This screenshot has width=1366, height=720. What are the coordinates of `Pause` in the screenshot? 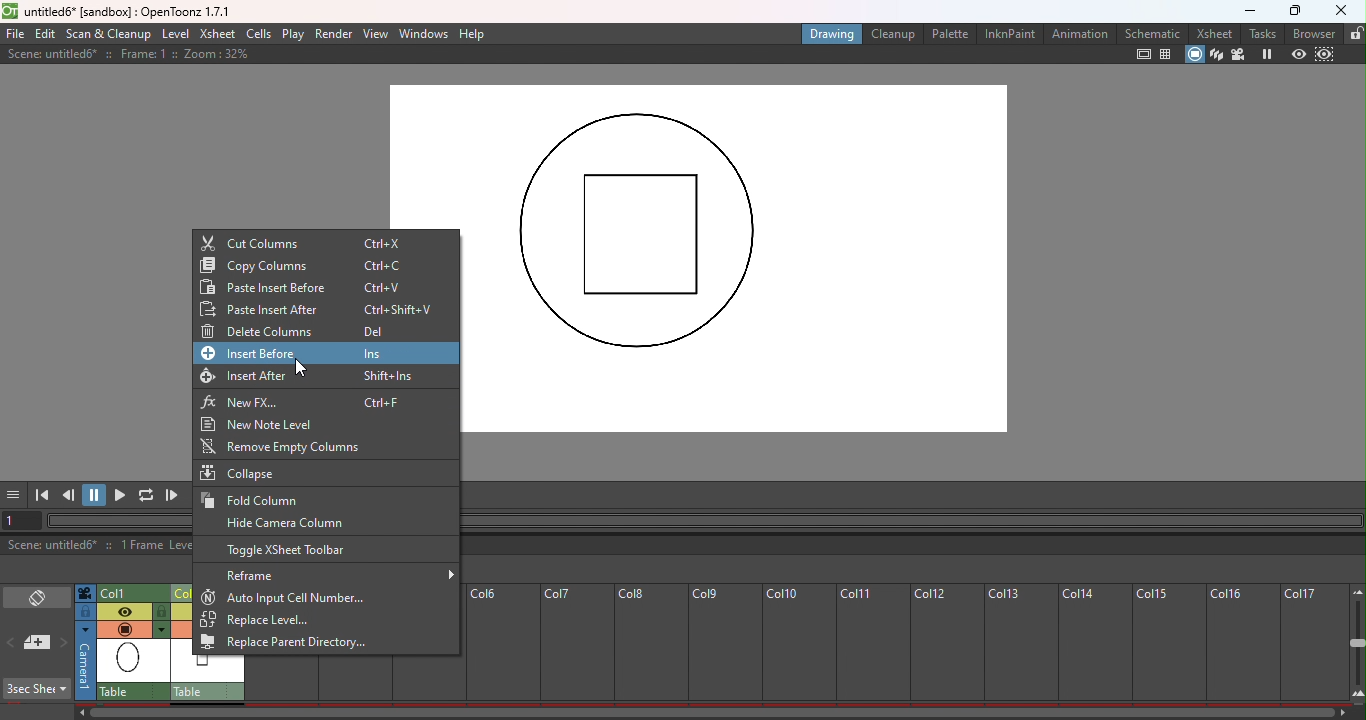 It's located at (96, 495).